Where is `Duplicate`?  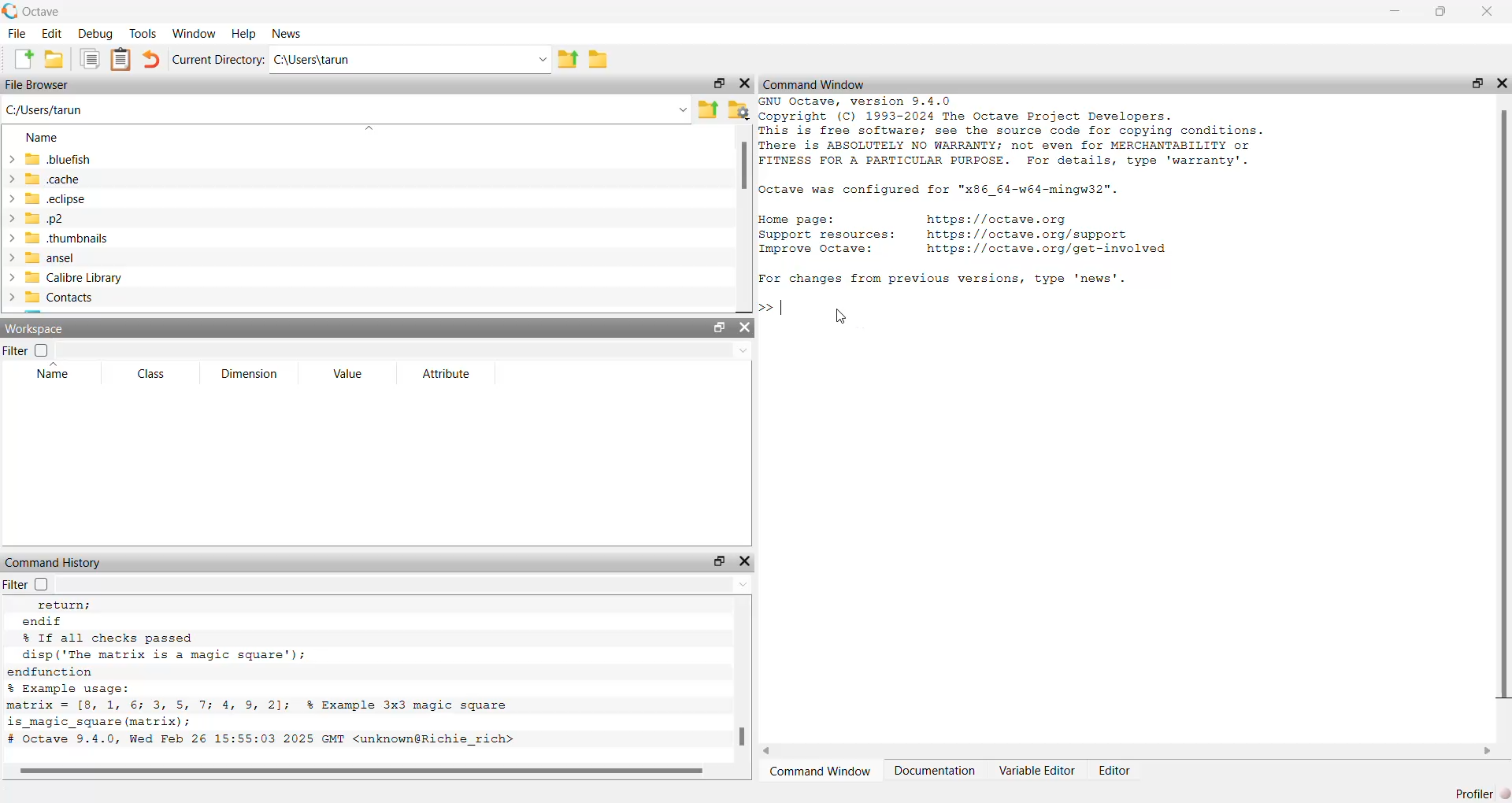 Duplicate is located at coordinates (91, 59).